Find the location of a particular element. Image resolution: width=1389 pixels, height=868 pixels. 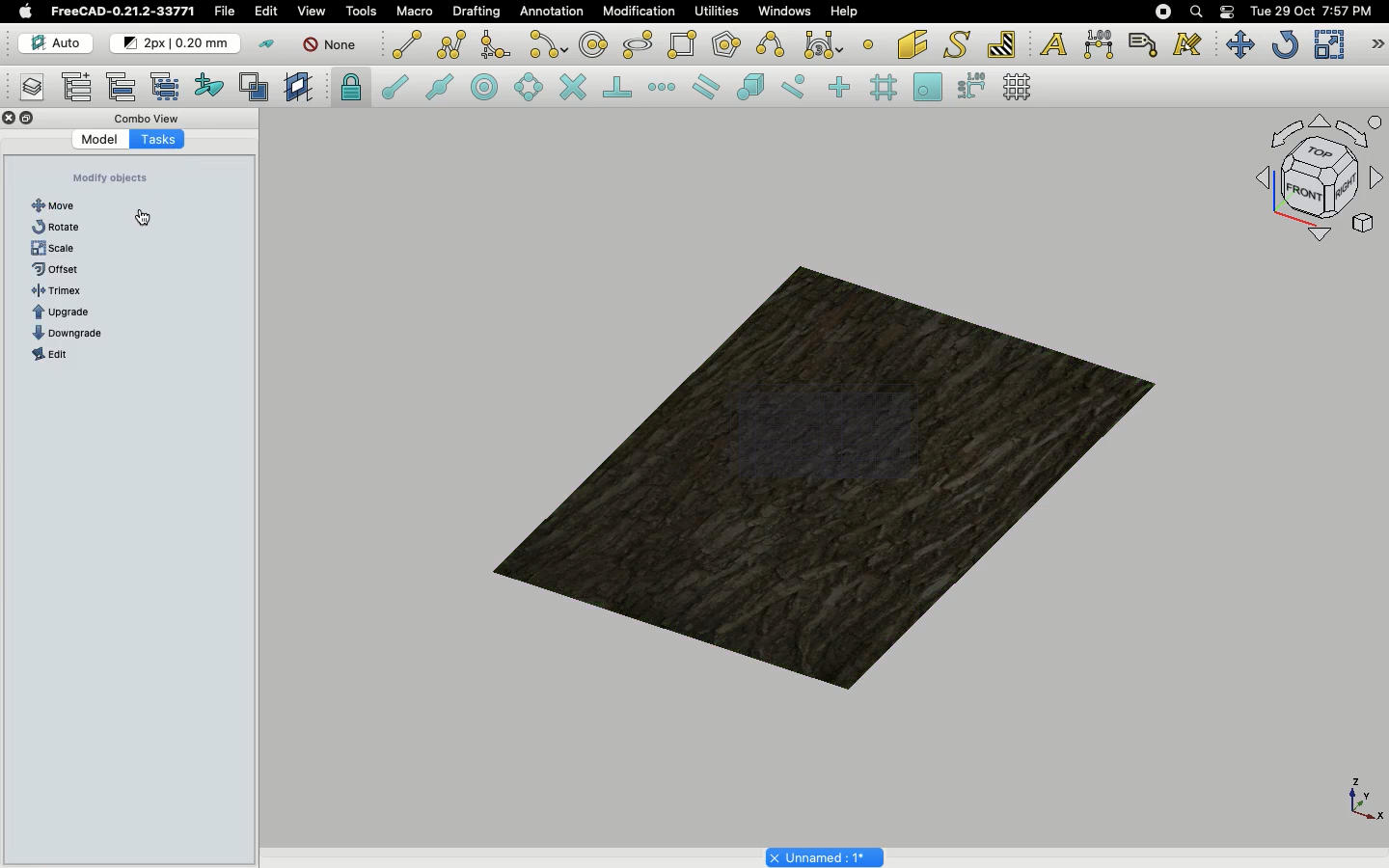

cursor is located at coordinates (144, 217).